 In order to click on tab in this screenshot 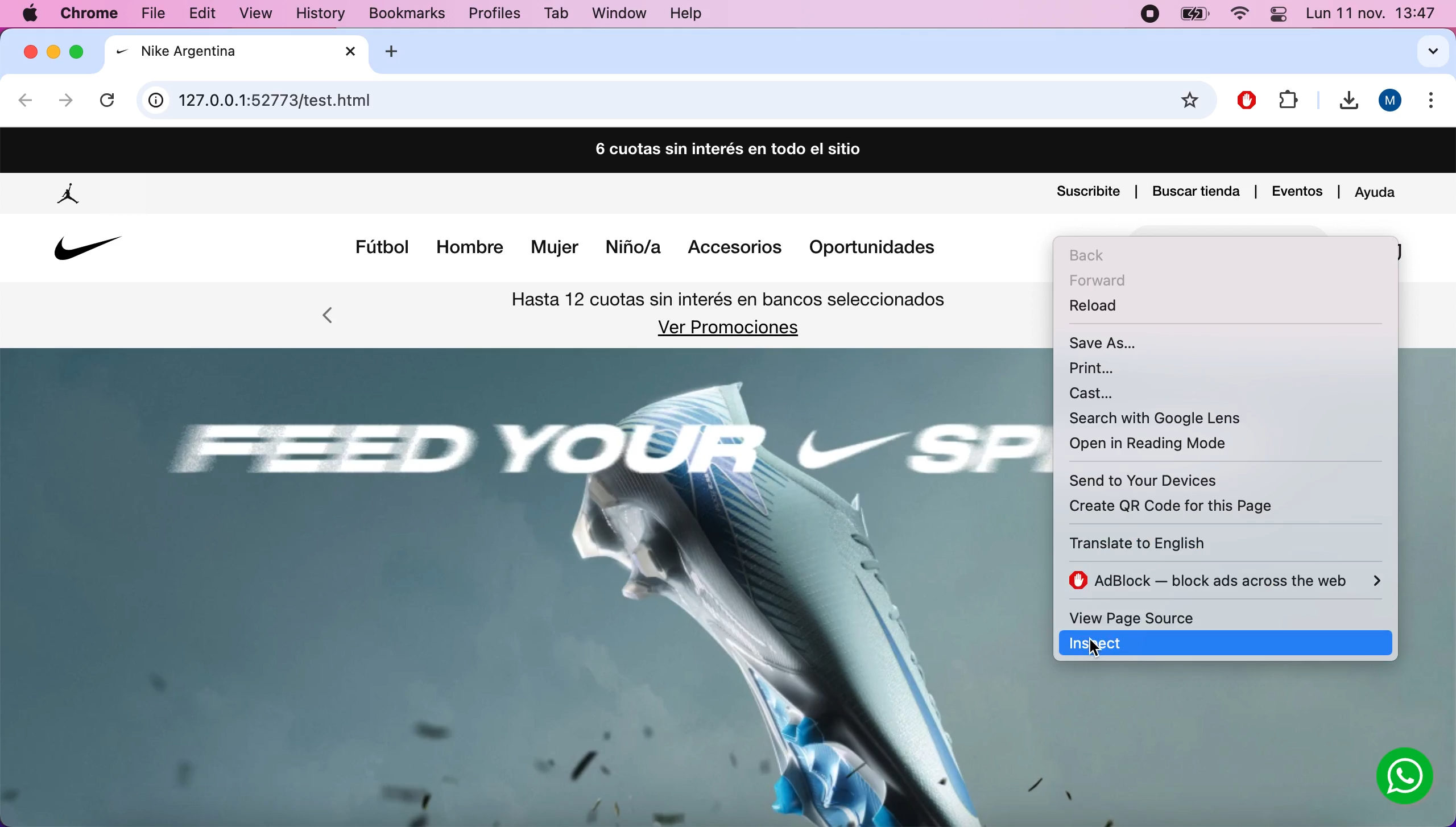, I will do `click(238, 53)`.